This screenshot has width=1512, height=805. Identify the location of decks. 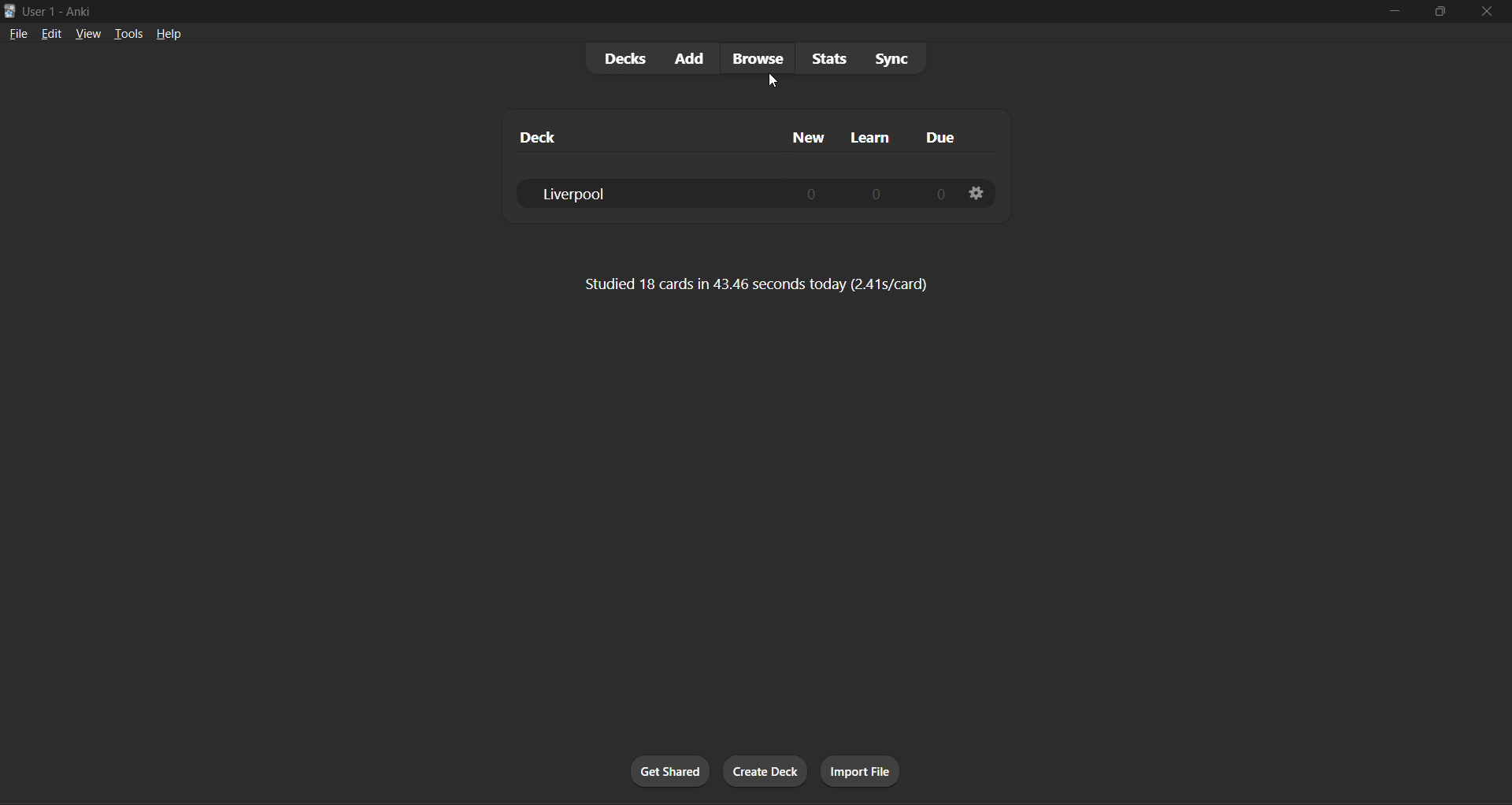
(620, 58).